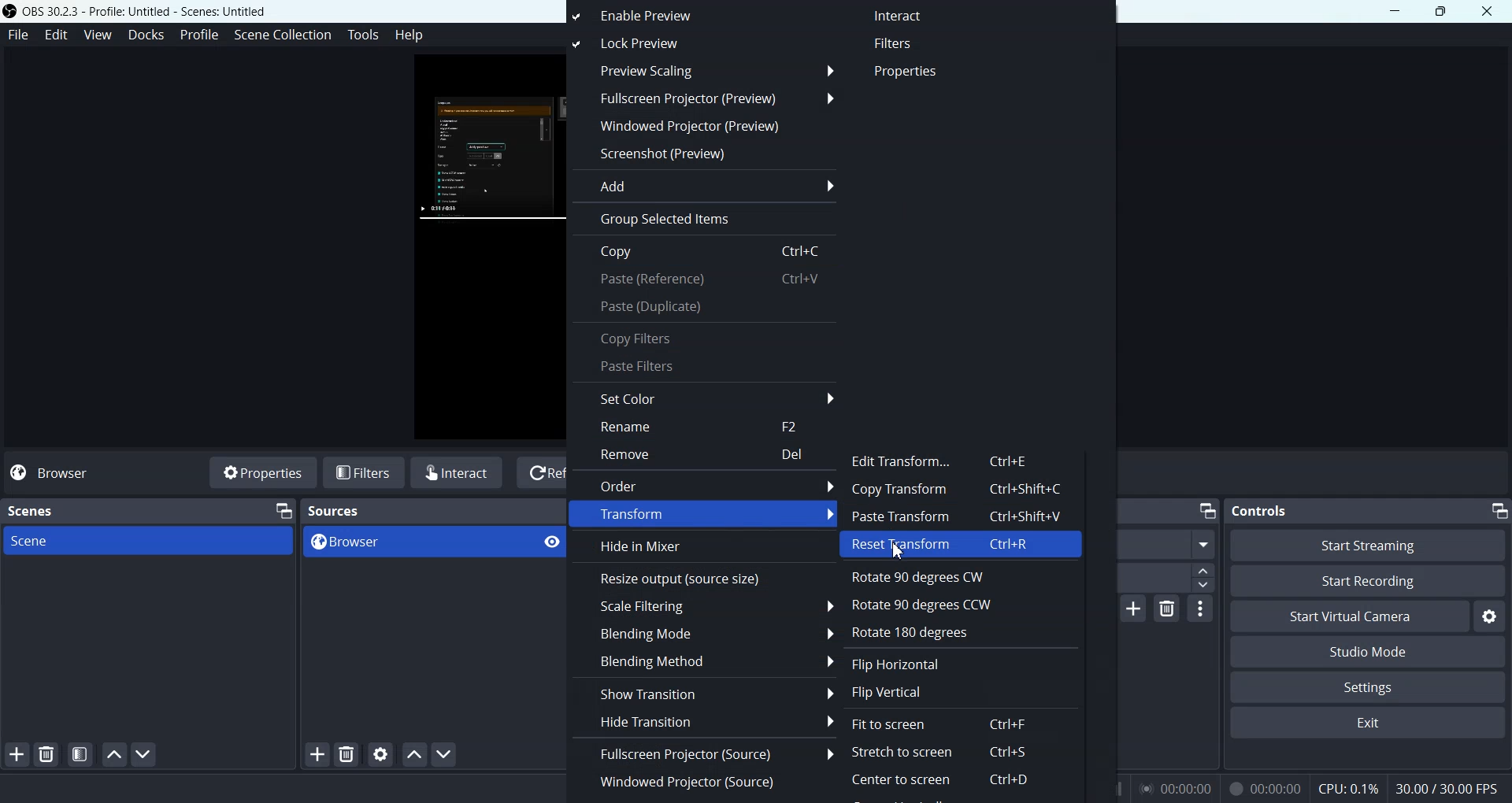 The image size is (1512, 803). I want to click on Exit, so click(1366, 724).